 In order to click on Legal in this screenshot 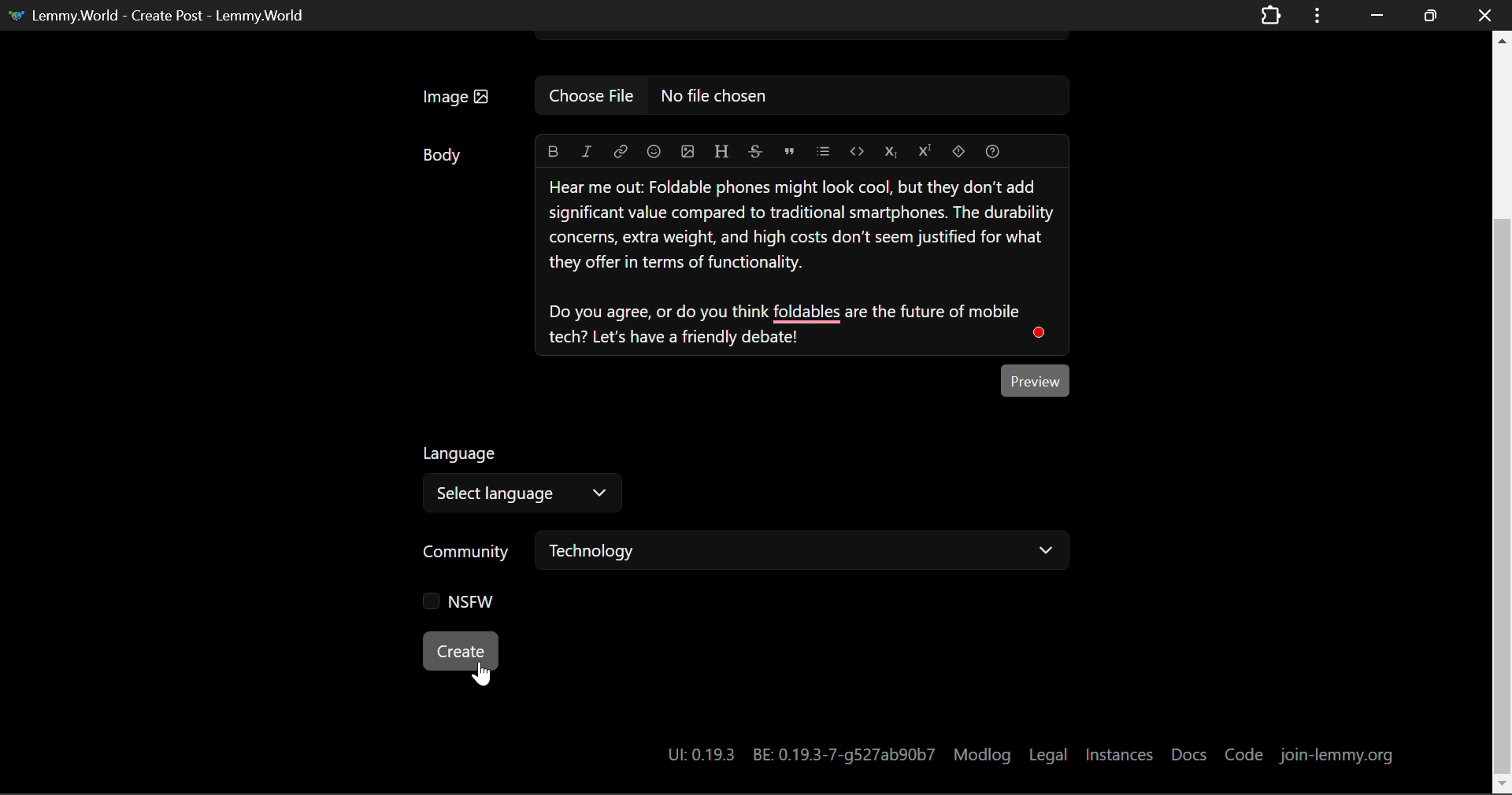, I will do `click(1051, 752)`.